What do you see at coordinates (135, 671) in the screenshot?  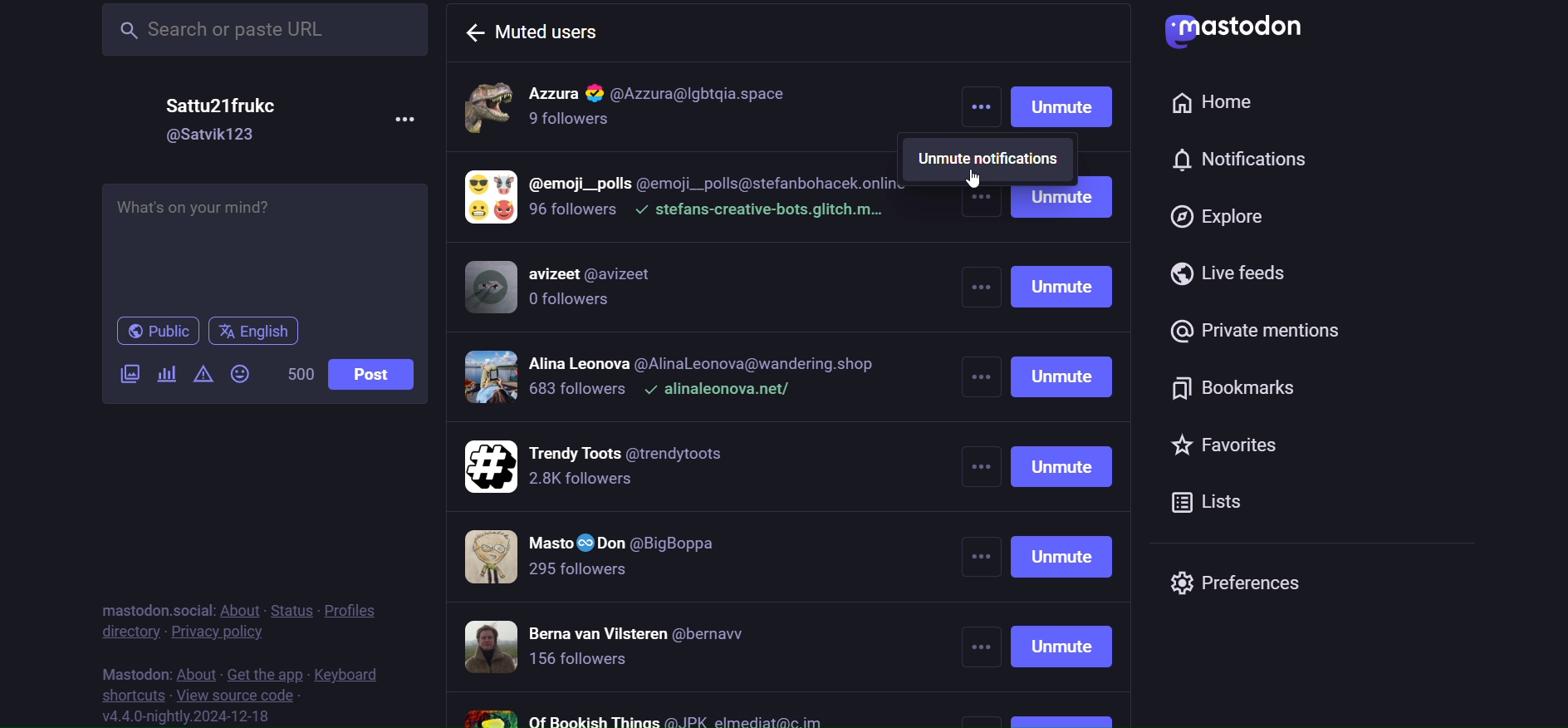 I see `mastodon` at bounding box center [135, 671].